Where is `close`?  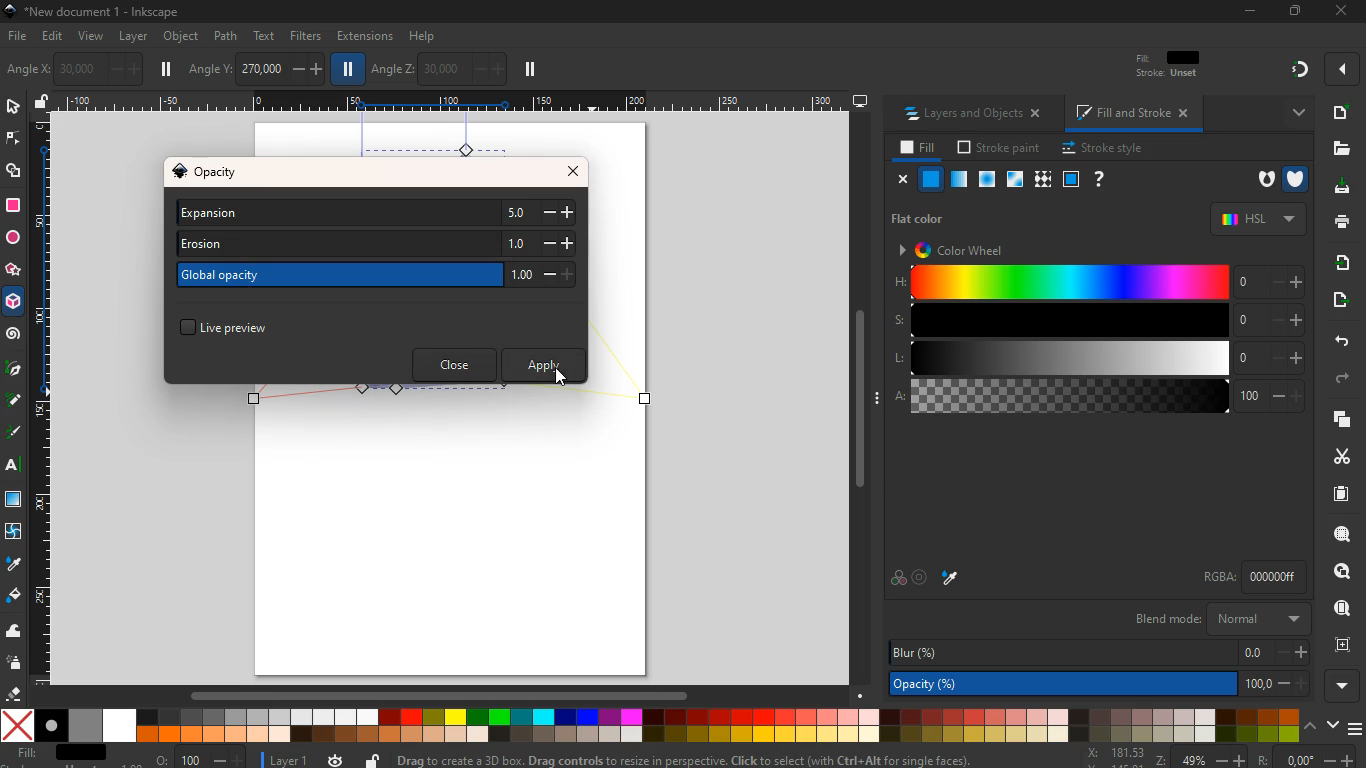 close is located at coordinates (452, 364).